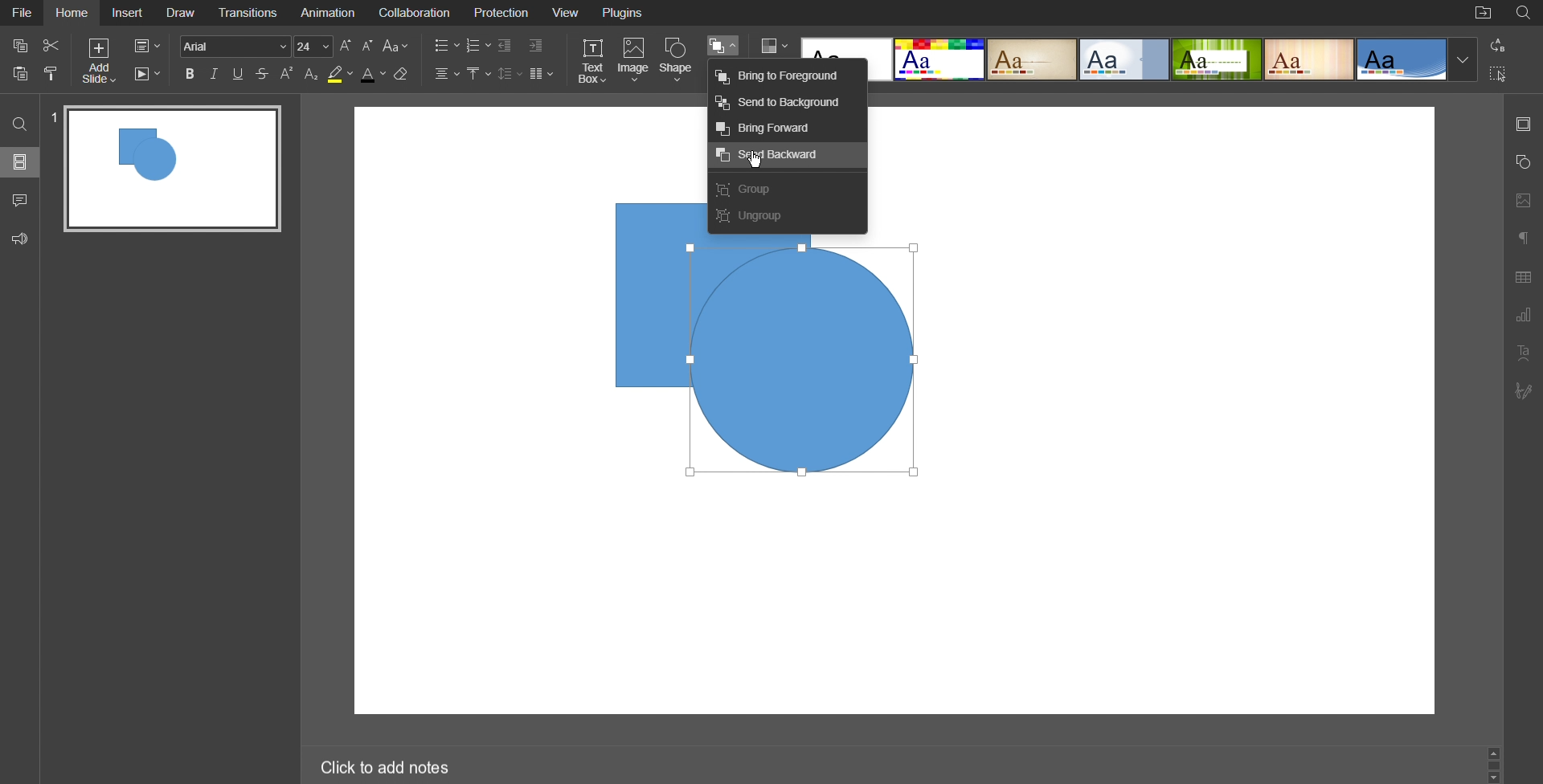  I want to click on Ungroup, so click(784, 215).